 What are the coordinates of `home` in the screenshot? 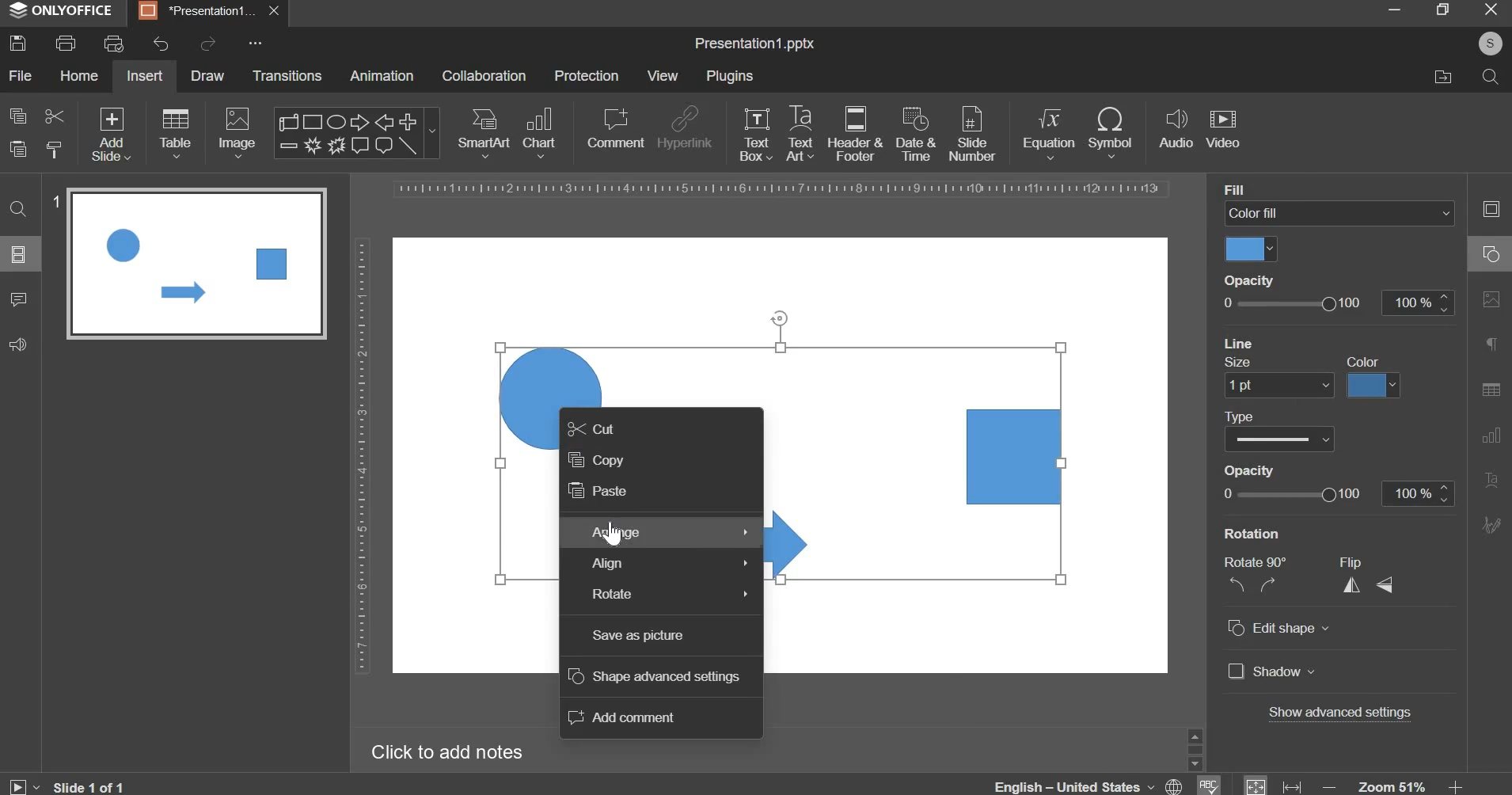 It's located at (78, 74).